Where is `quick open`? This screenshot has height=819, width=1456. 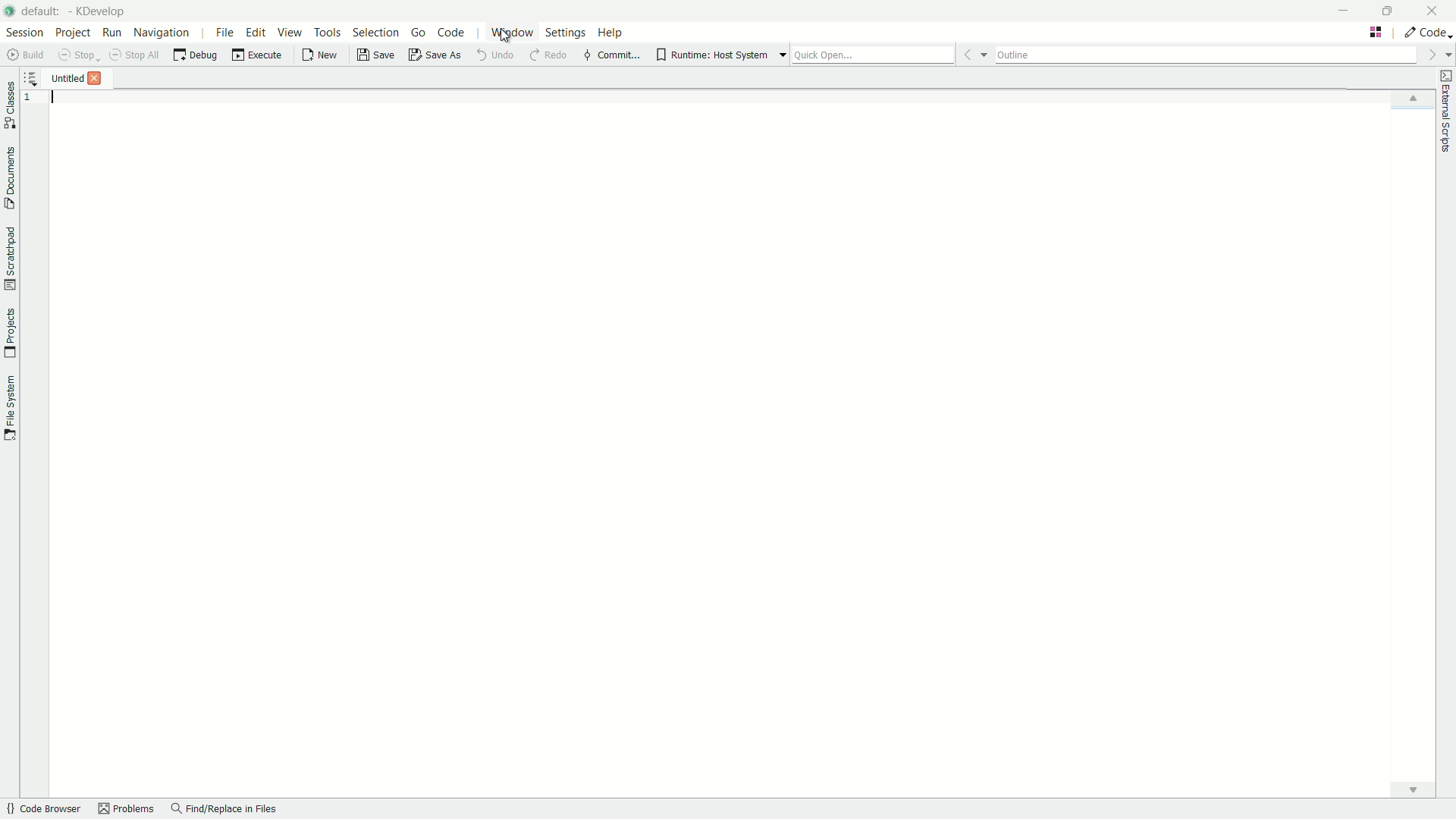
quick open is located at coordinates (891, 55).